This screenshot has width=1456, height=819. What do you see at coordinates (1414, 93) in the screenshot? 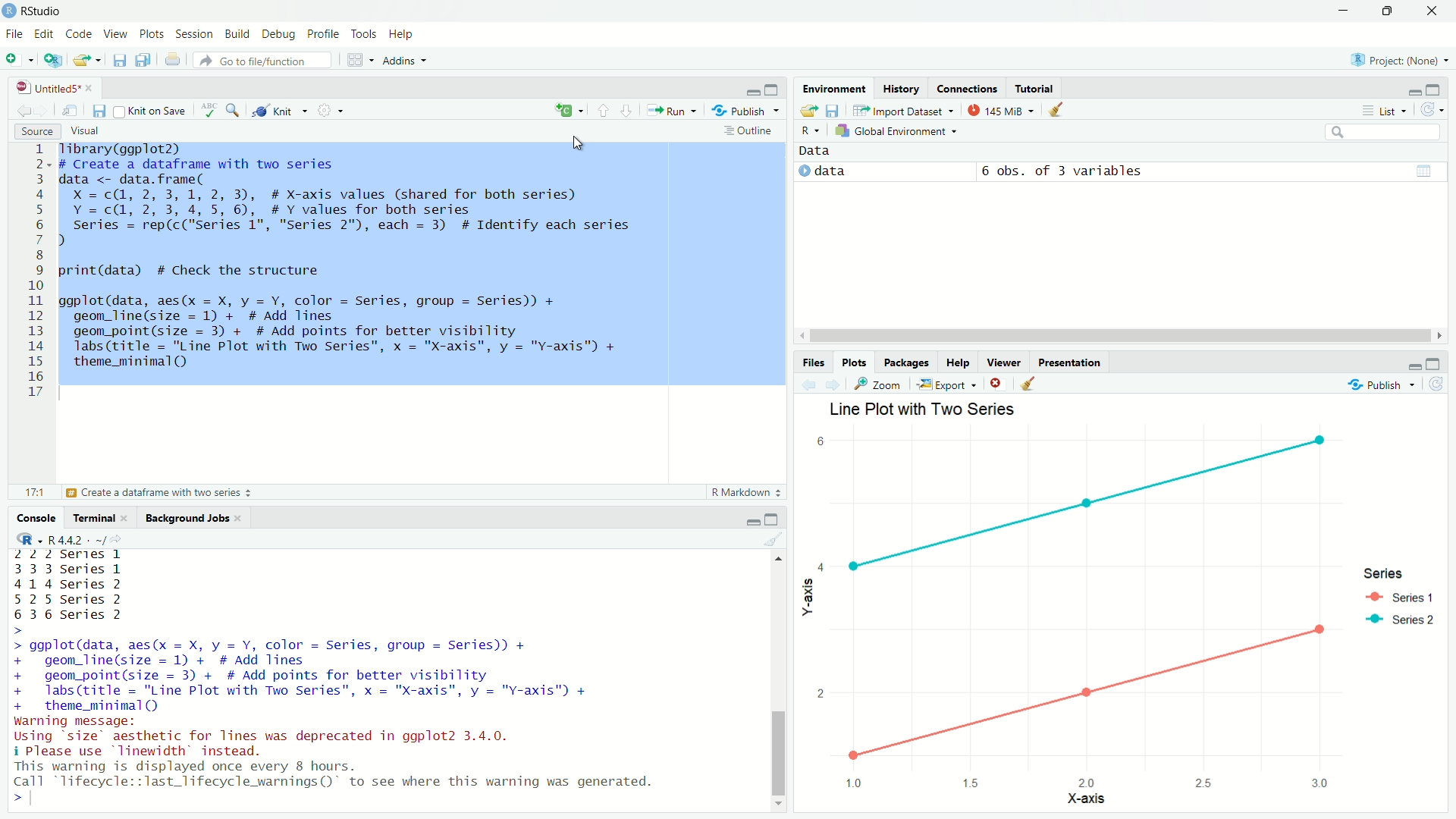
I see `minimize` at bounding box center [1414, 93].